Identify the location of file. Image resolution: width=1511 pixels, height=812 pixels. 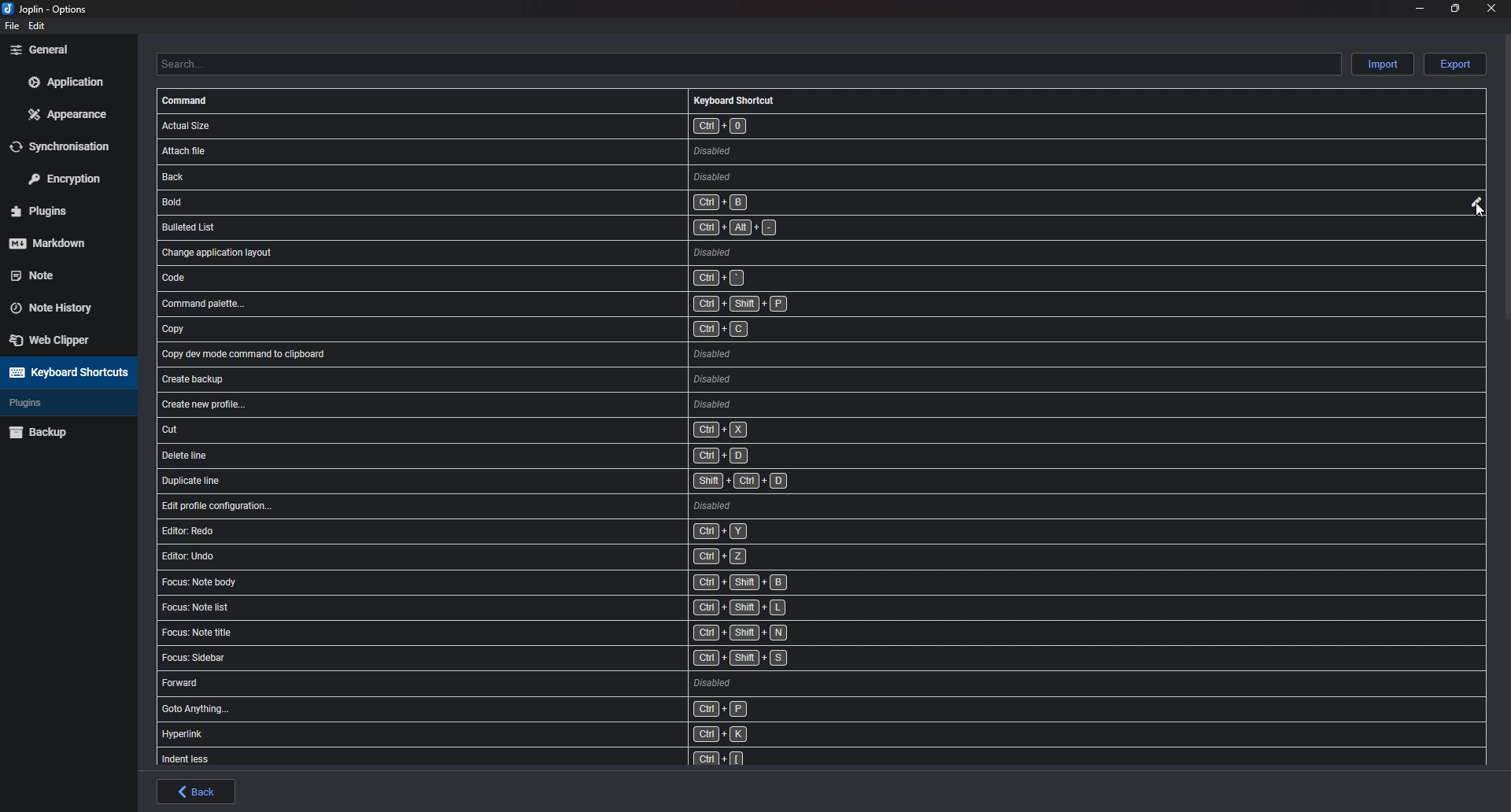
(10, 26).